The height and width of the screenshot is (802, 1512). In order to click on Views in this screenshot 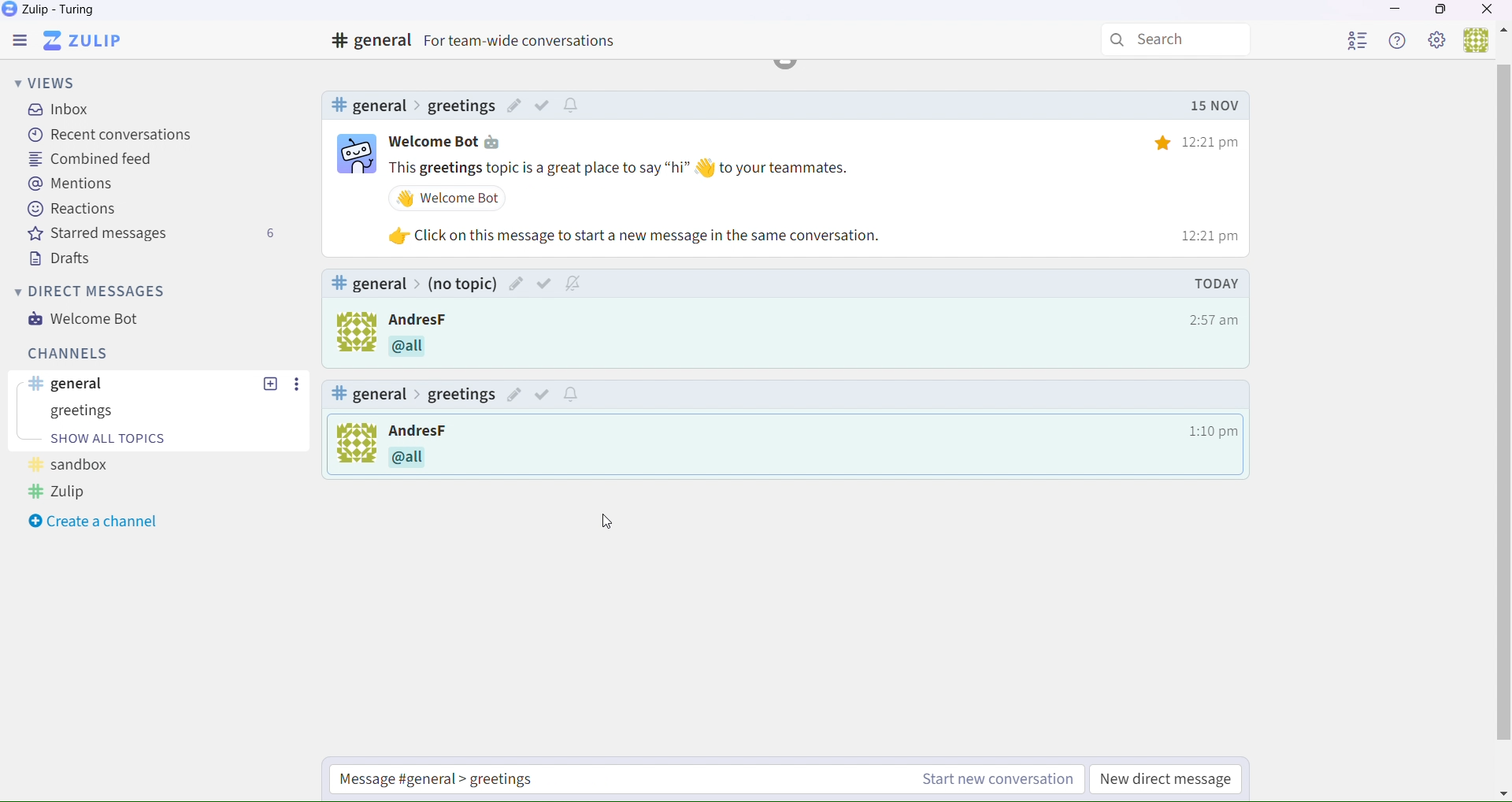, I will do `click(48, 81)`.